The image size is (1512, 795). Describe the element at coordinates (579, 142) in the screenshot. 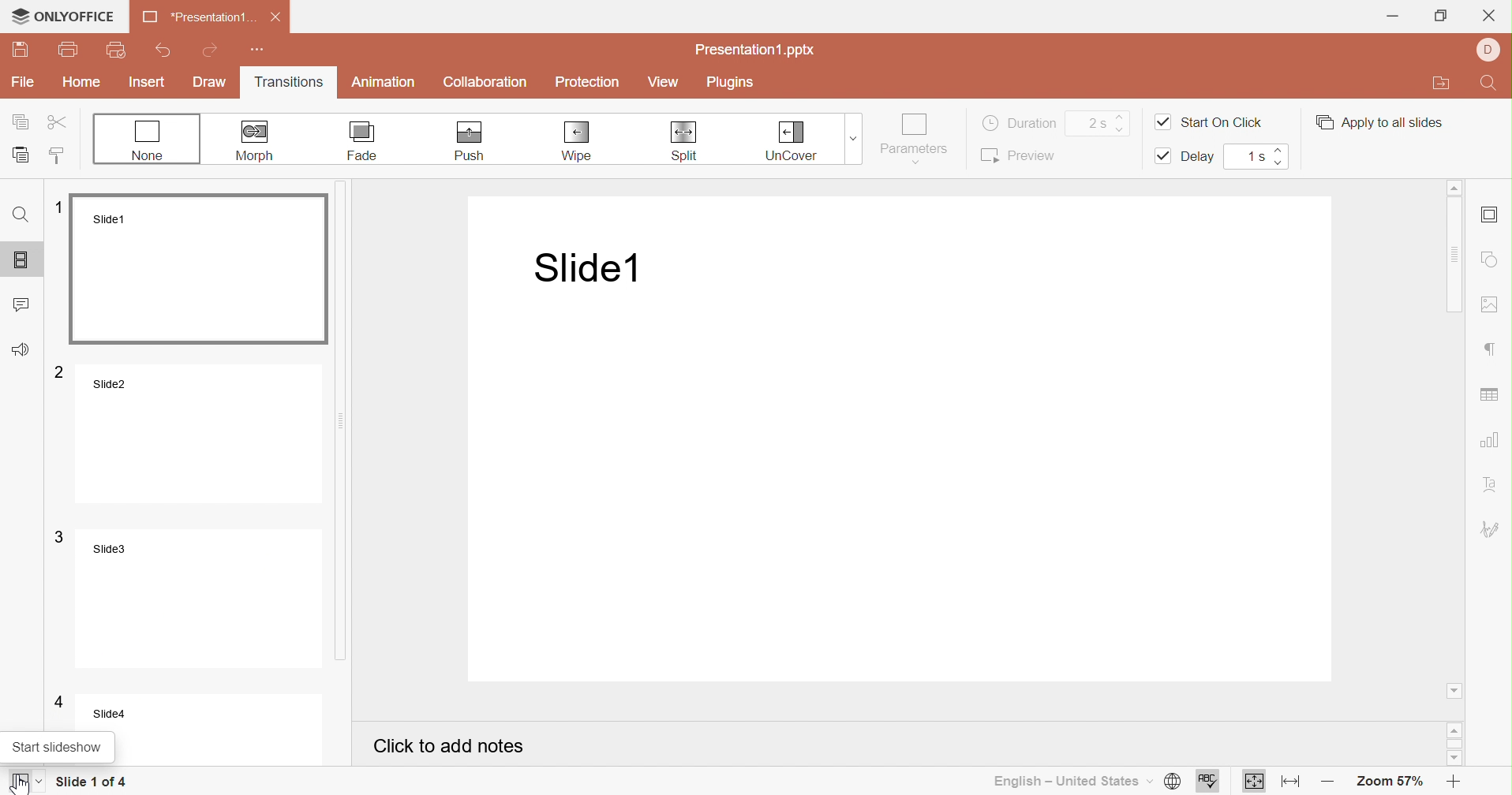

I see `Wipe` at that location.